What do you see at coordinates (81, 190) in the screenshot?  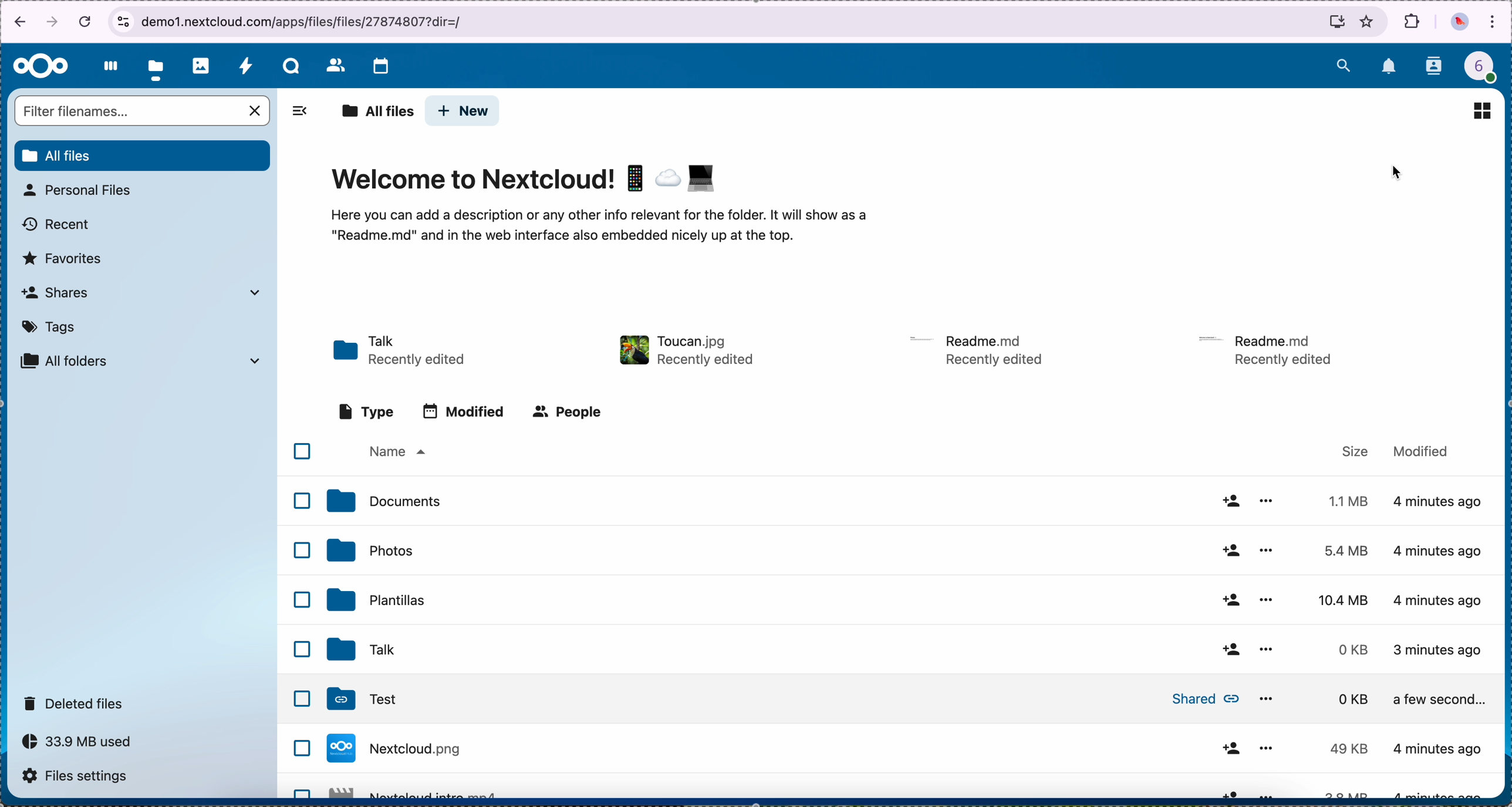 I see `personal files` at bounding box center [81, 190].